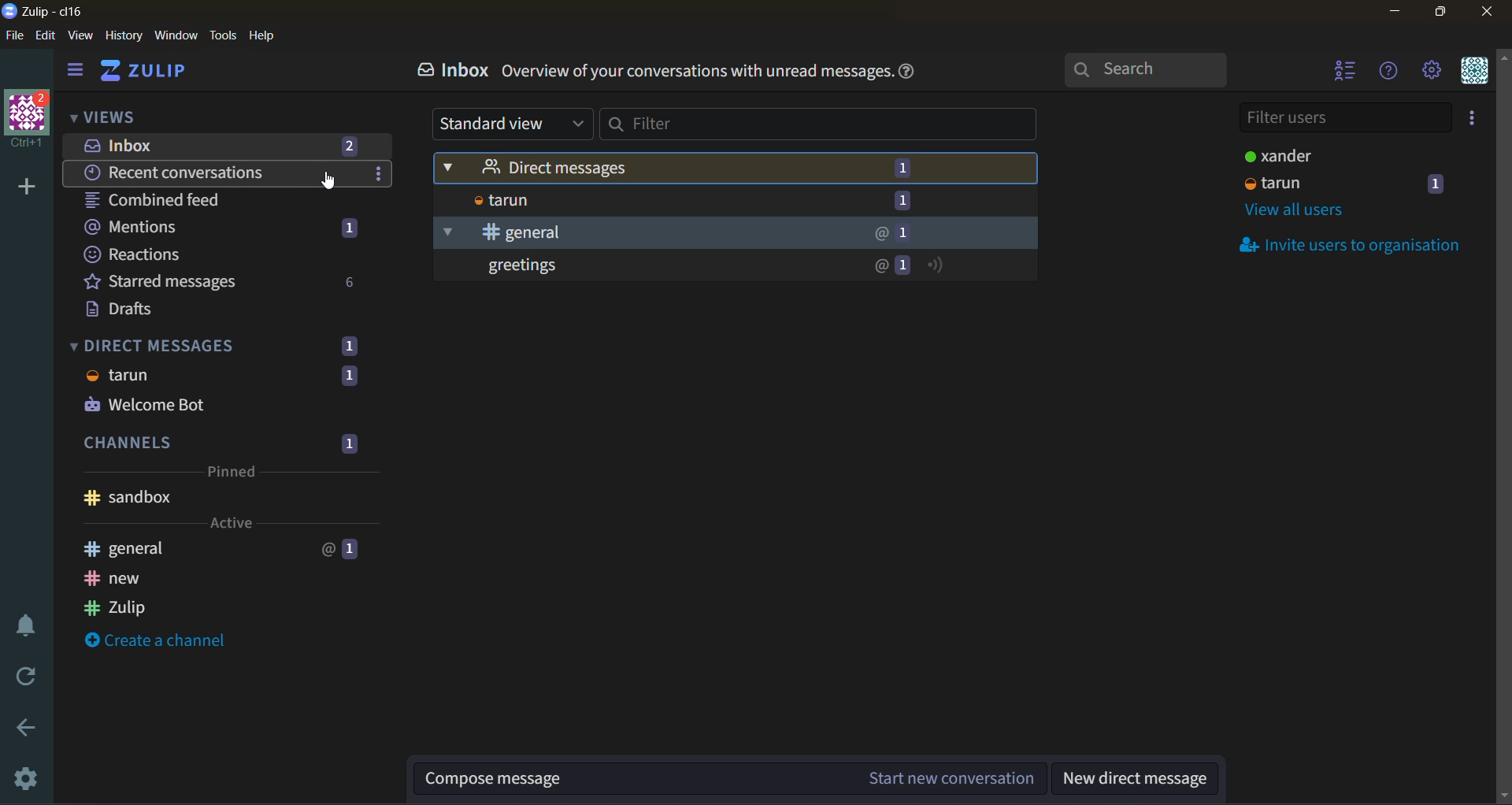  I want to click on maximize, so click(1446, 13).